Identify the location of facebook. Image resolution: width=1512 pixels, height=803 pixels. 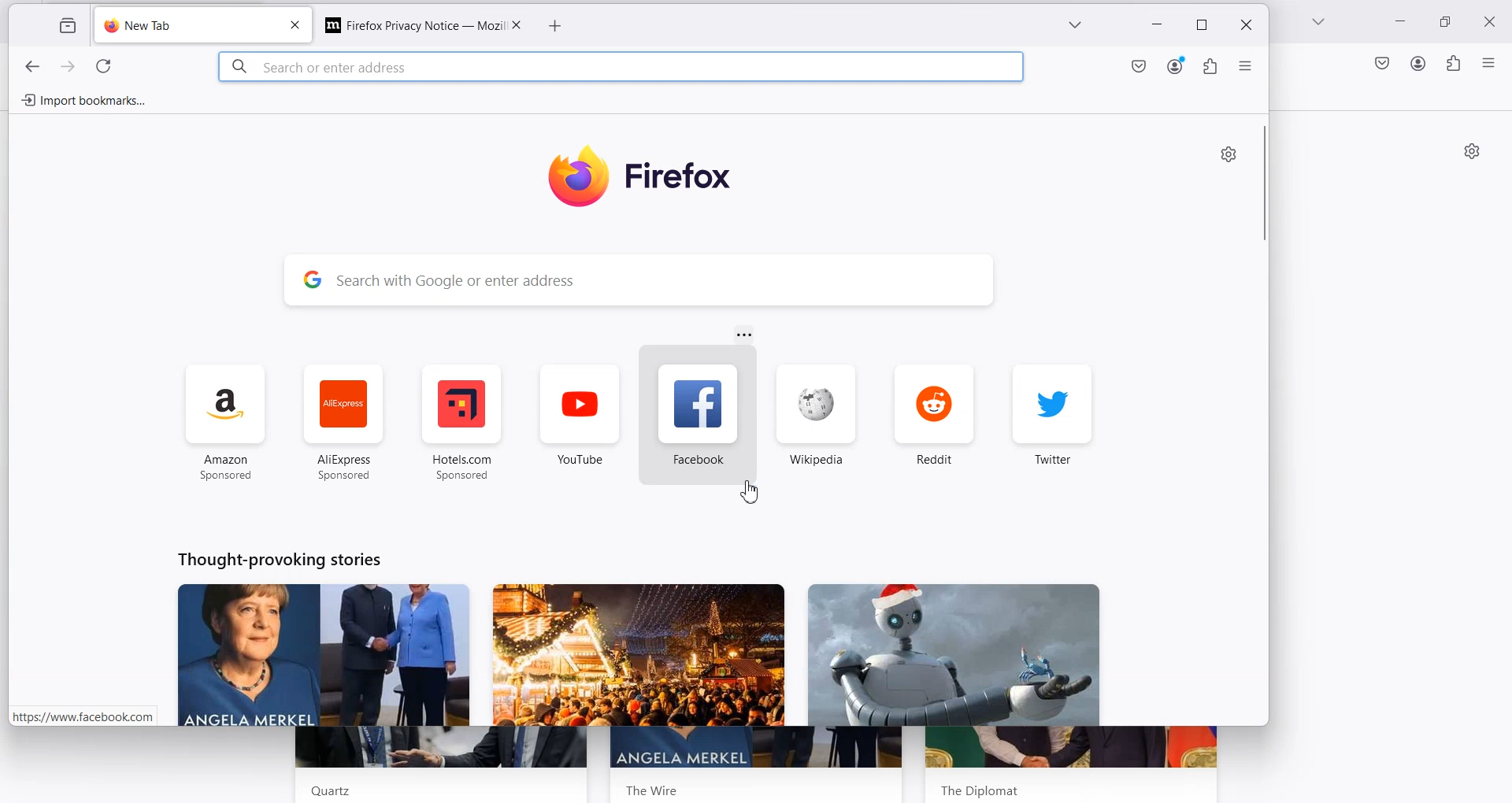
(701, 415).